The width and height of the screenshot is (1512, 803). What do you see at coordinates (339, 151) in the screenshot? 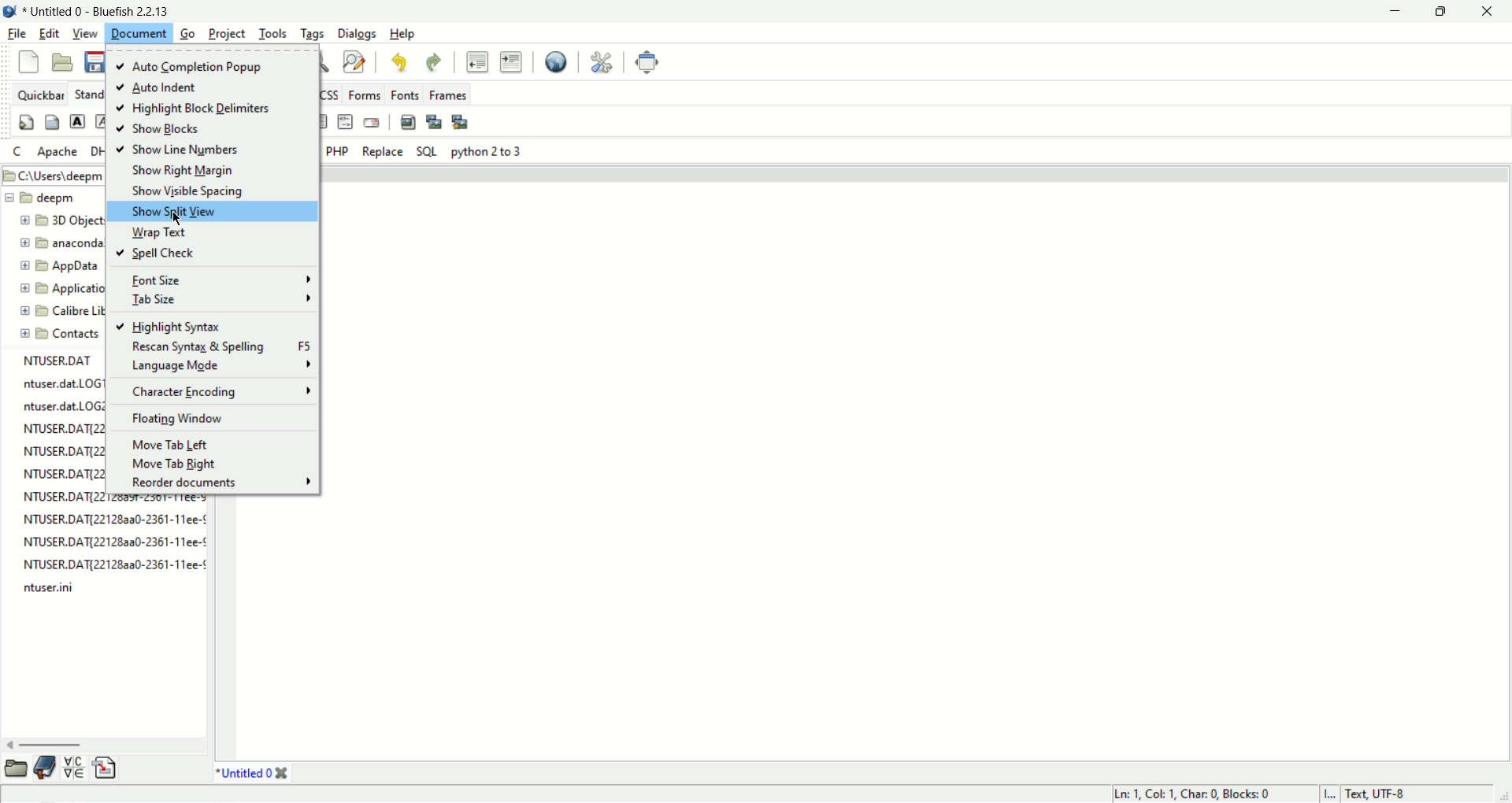
I see `PHP` at bounding box center [339, 151].